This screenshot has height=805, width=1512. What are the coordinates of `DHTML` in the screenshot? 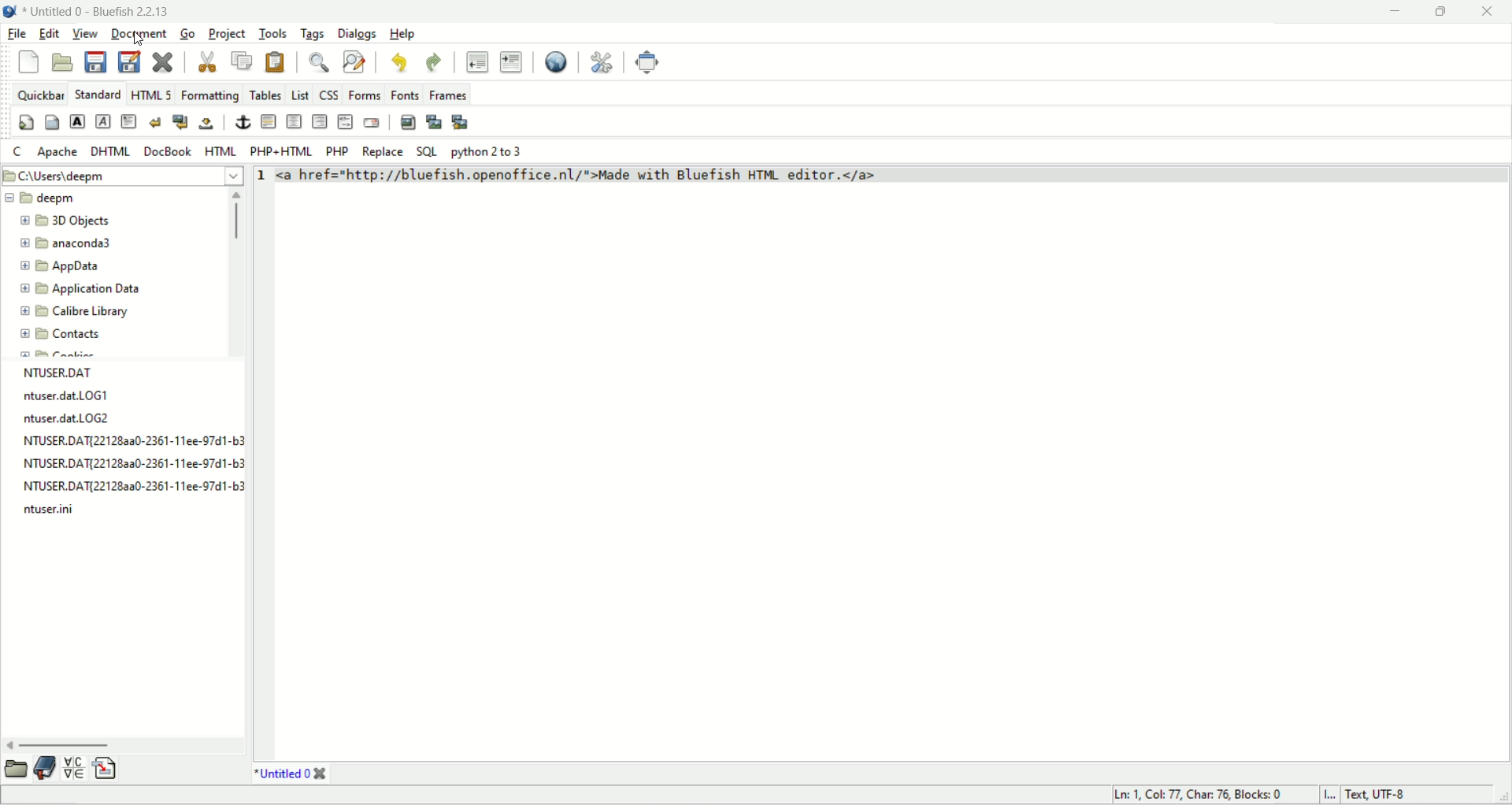 It's located at (110, 153).